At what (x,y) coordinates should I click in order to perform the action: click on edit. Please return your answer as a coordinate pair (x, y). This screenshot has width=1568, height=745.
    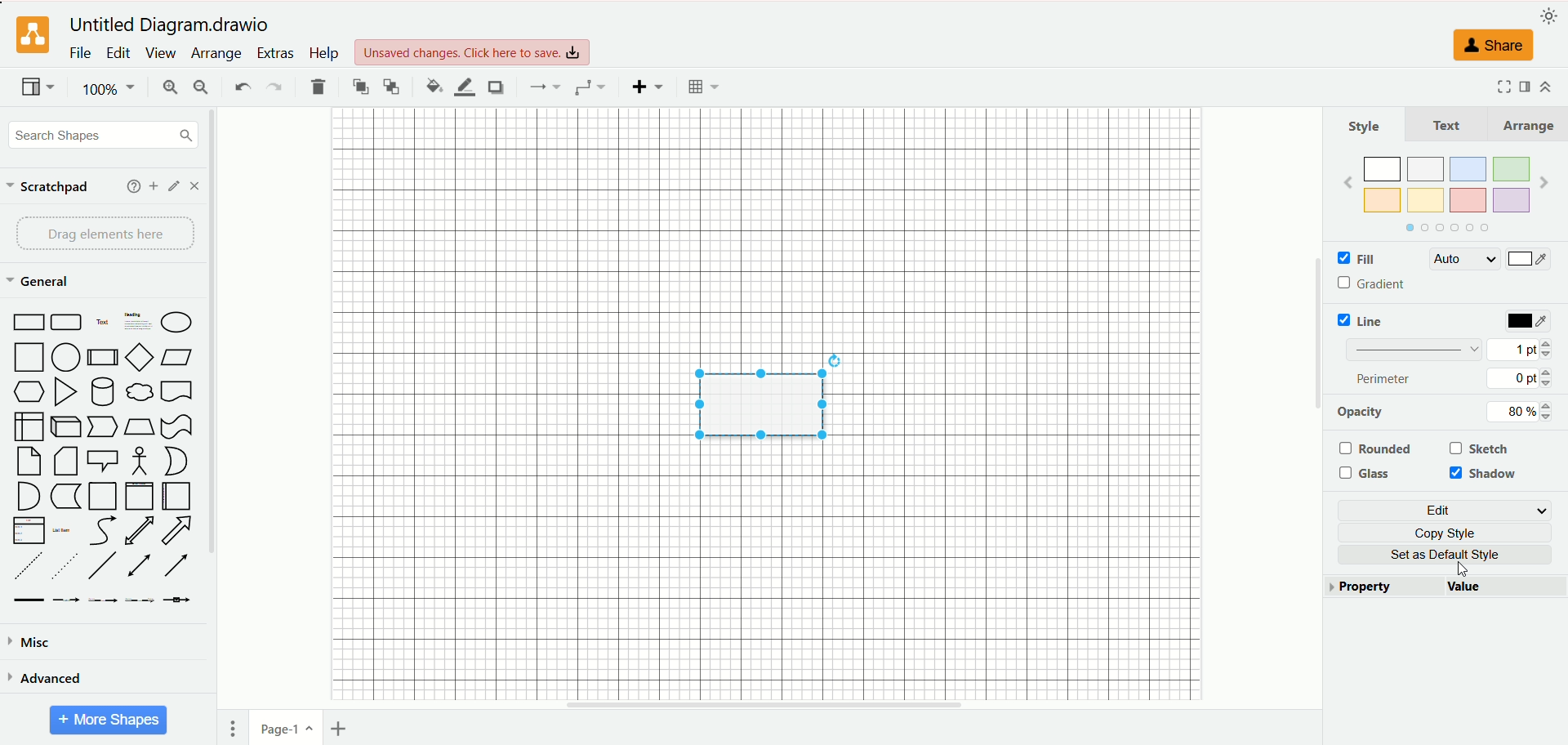
    Looking at the image, I should click on (1448, 511).